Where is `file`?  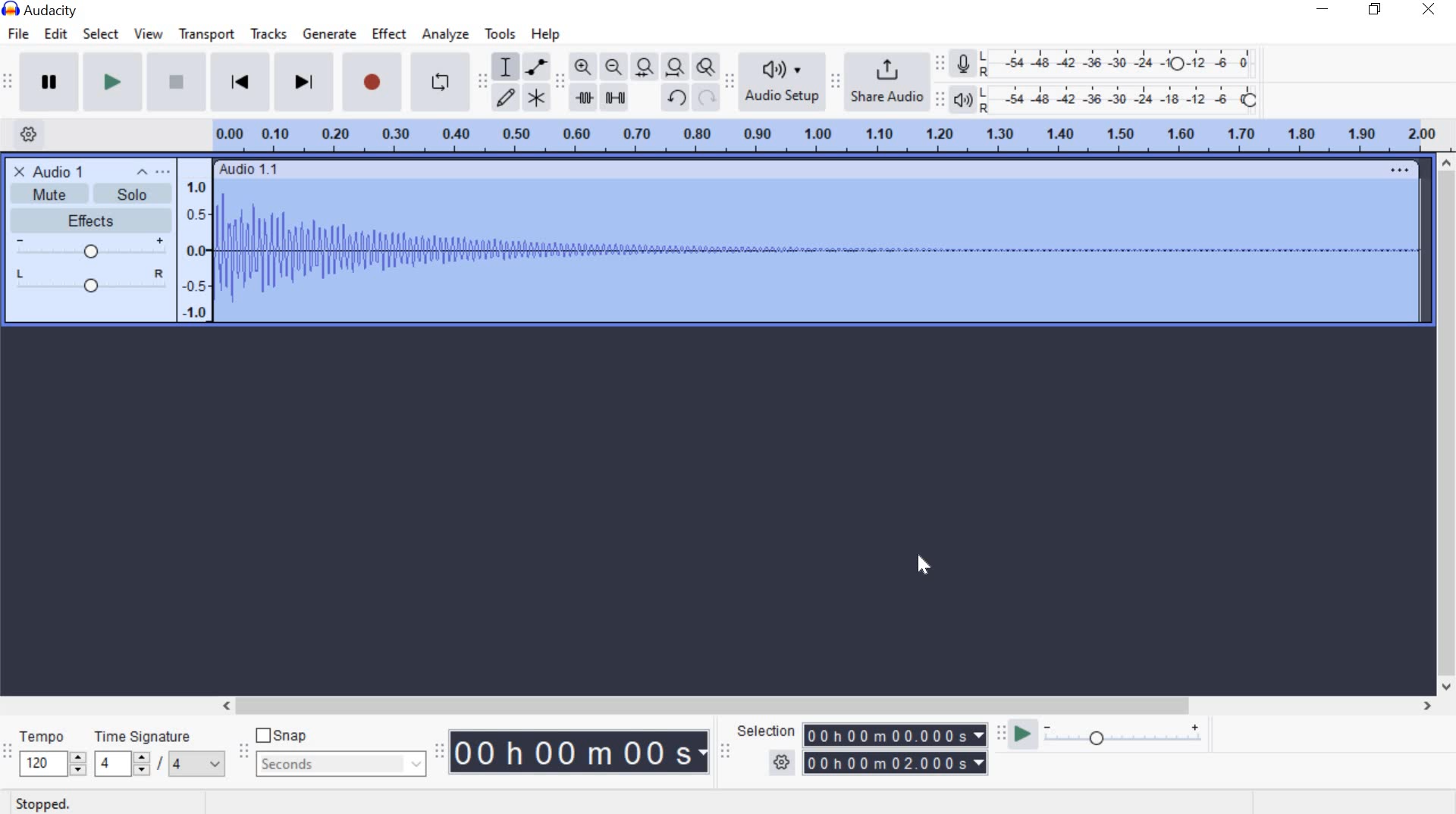 file is located at coordinates (17, 35).